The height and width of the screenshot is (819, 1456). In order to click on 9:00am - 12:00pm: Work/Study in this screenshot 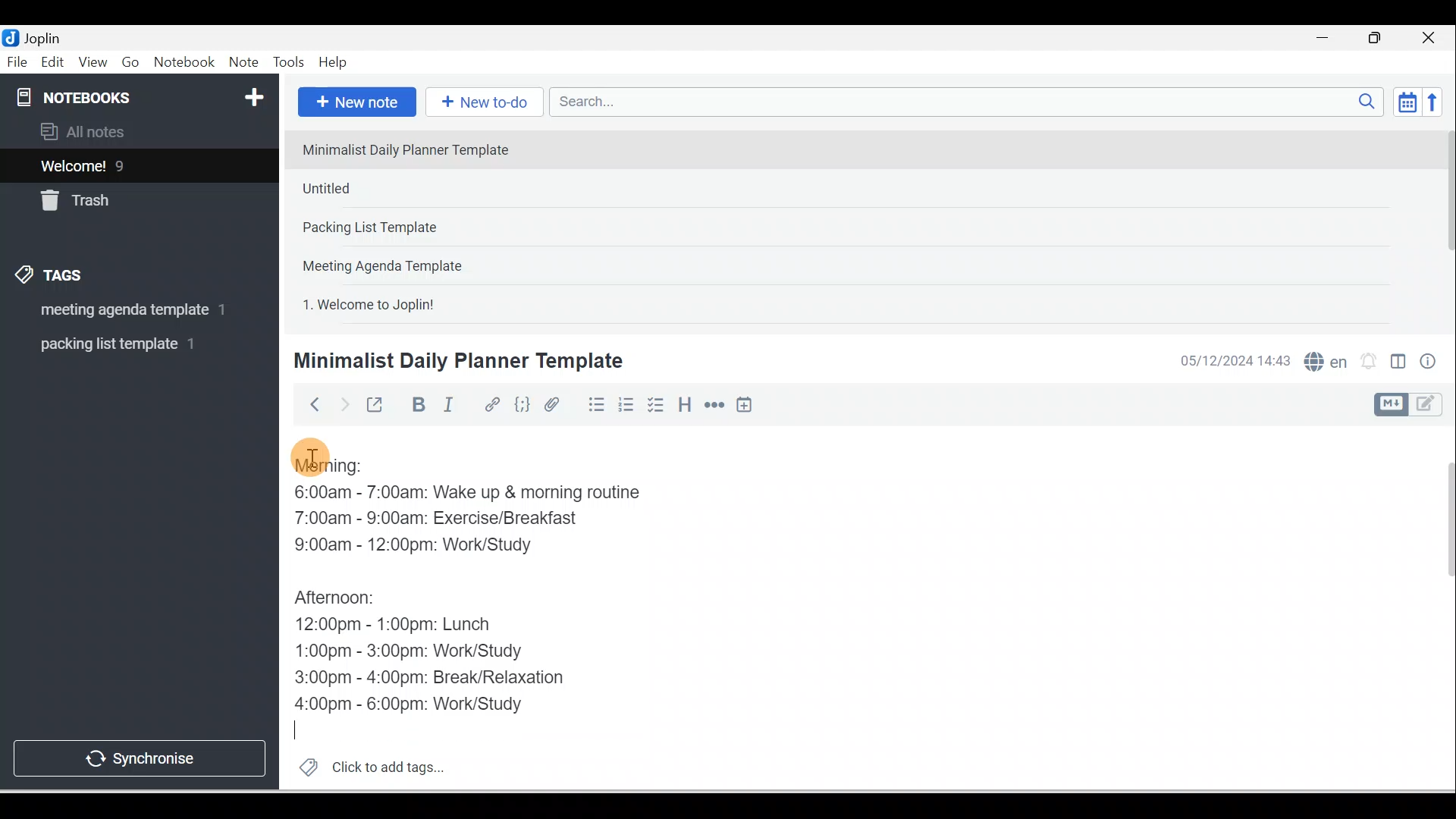, I will do `click(434, 546)`.